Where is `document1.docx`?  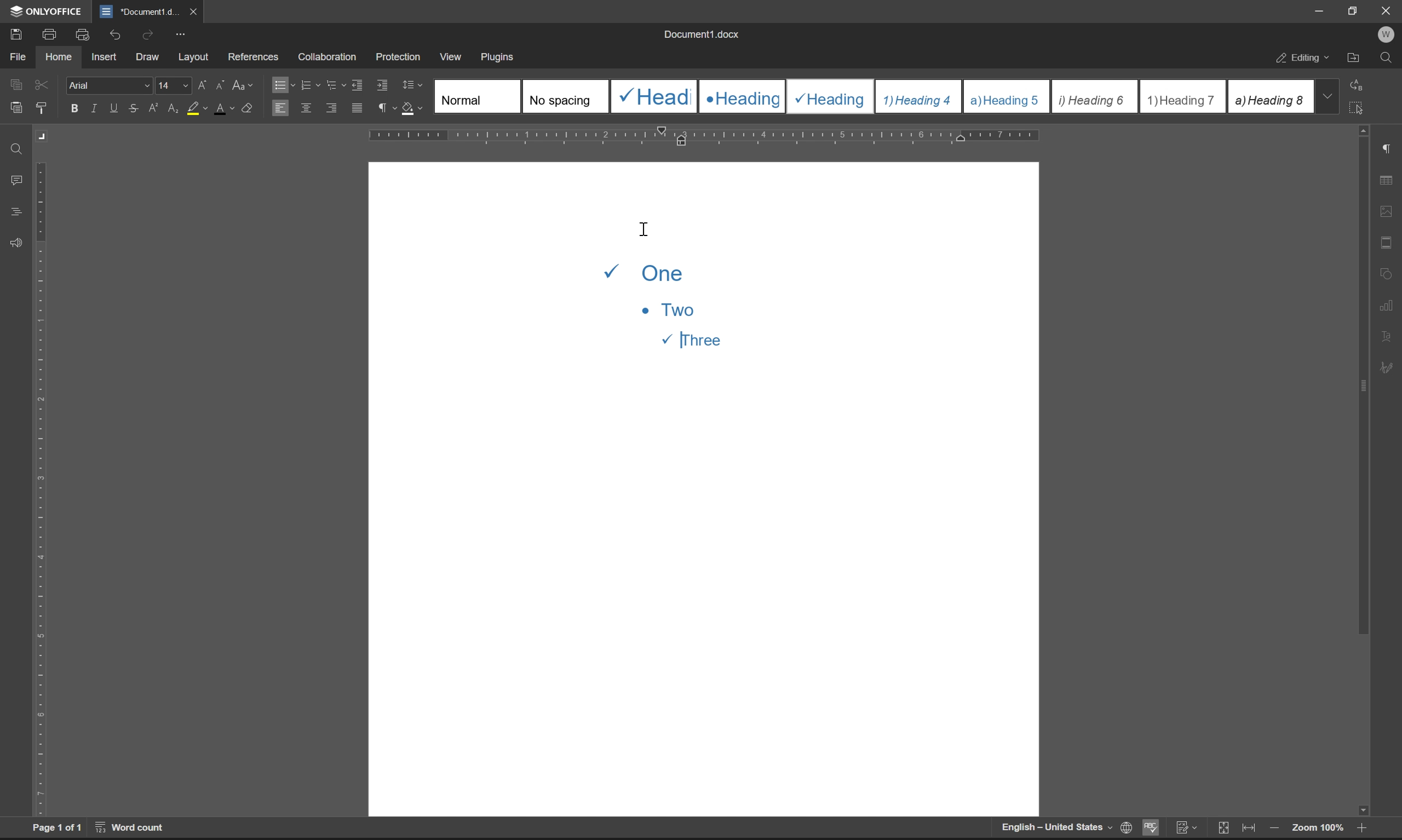 document1.docx is located at coordinates (700, 34).